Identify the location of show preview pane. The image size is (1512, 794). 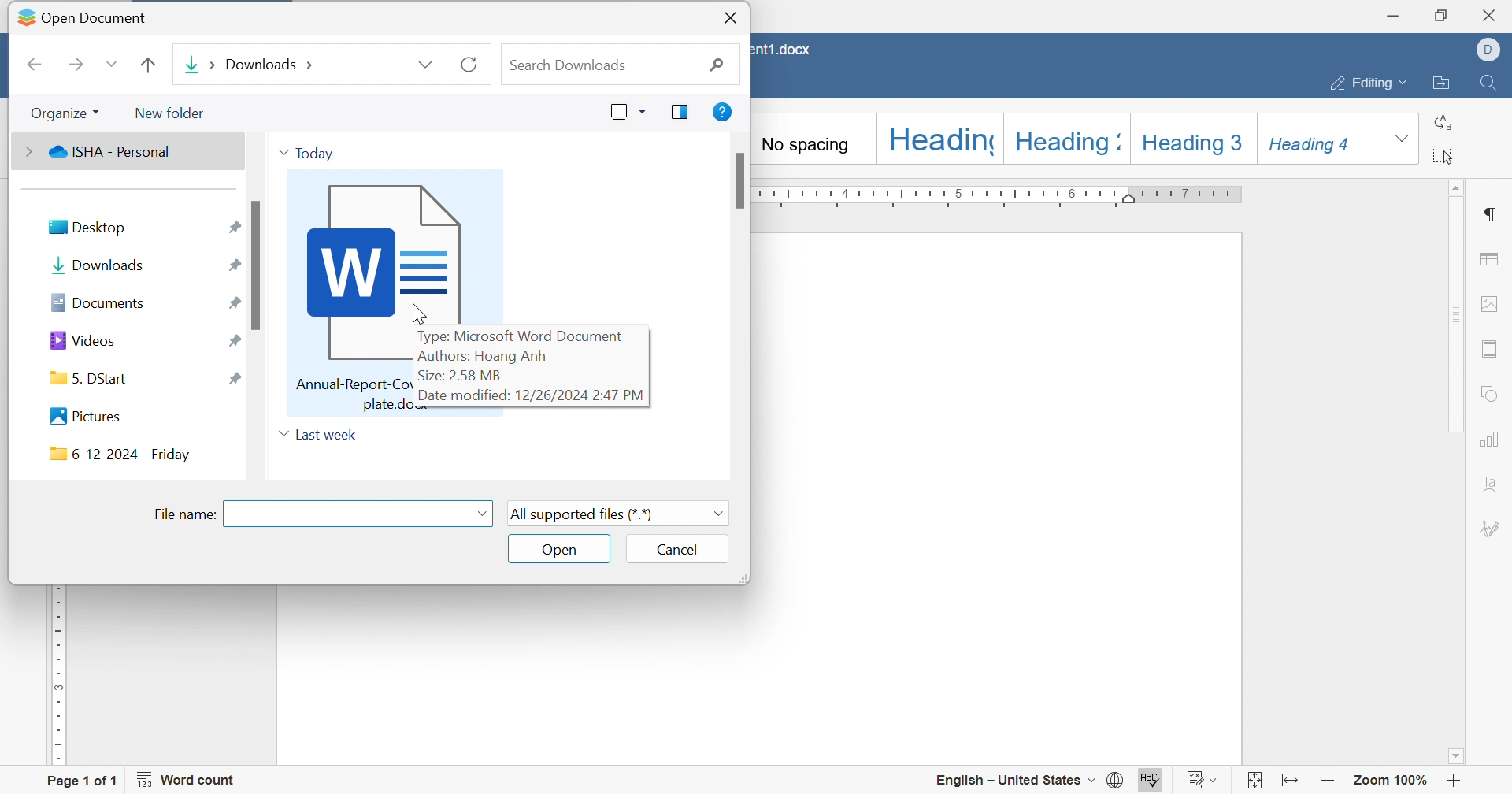
(681, 113).